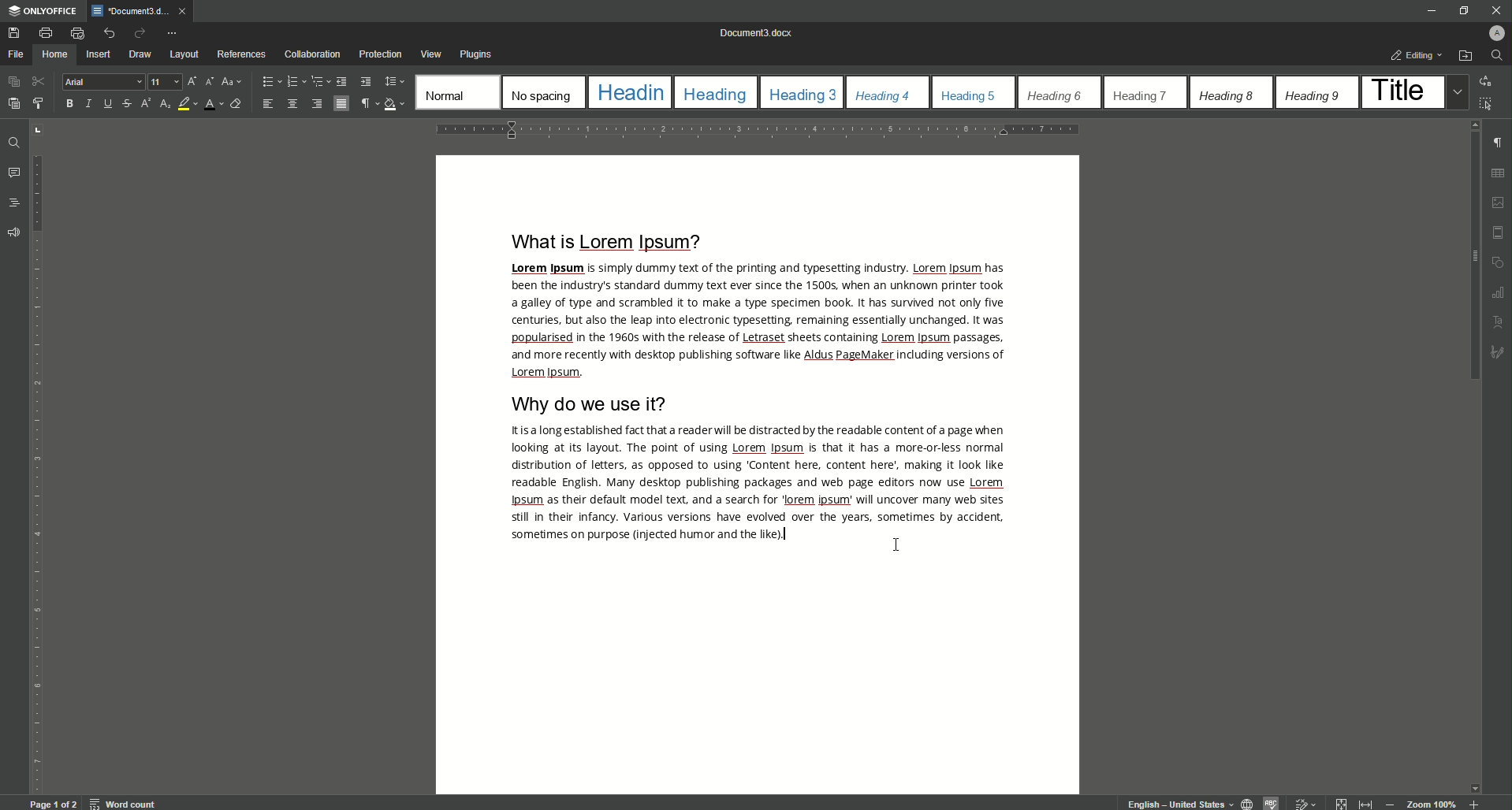  I want to click on Insert, so click(101, 55).